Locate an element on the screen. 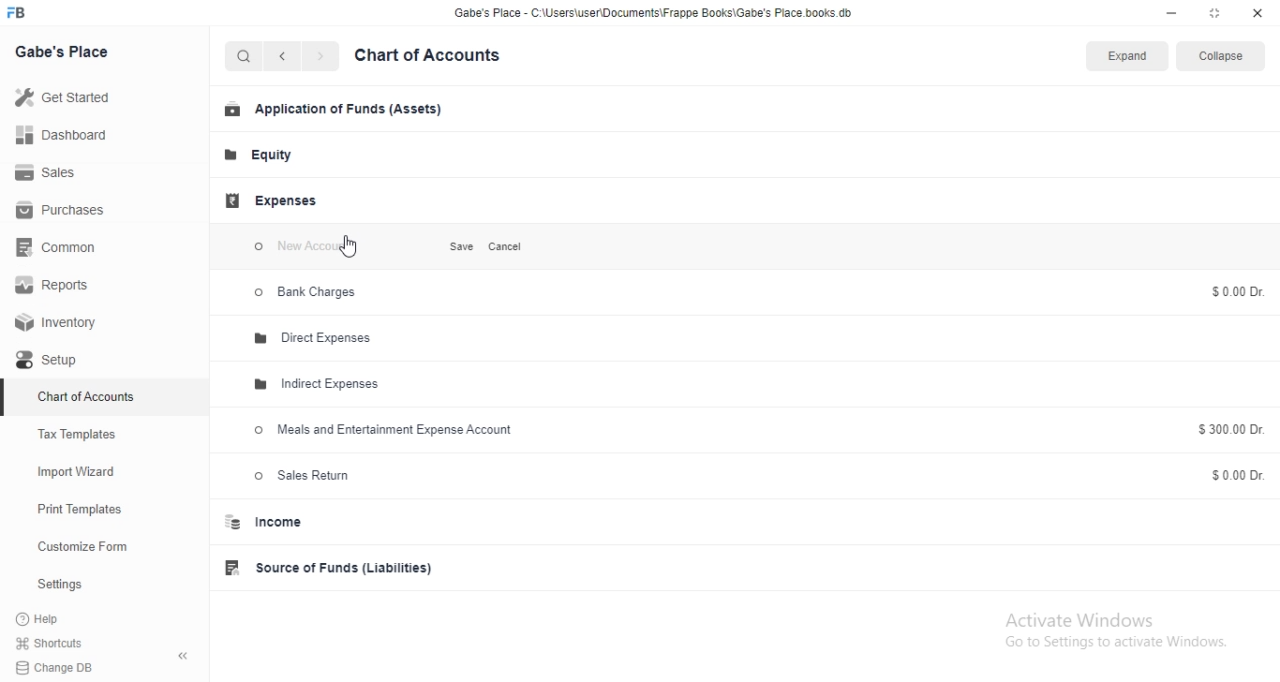 Image resolution: width=1280 pixels, height=682 pixels. Gabe's Place is located at coordinates (70, 57).